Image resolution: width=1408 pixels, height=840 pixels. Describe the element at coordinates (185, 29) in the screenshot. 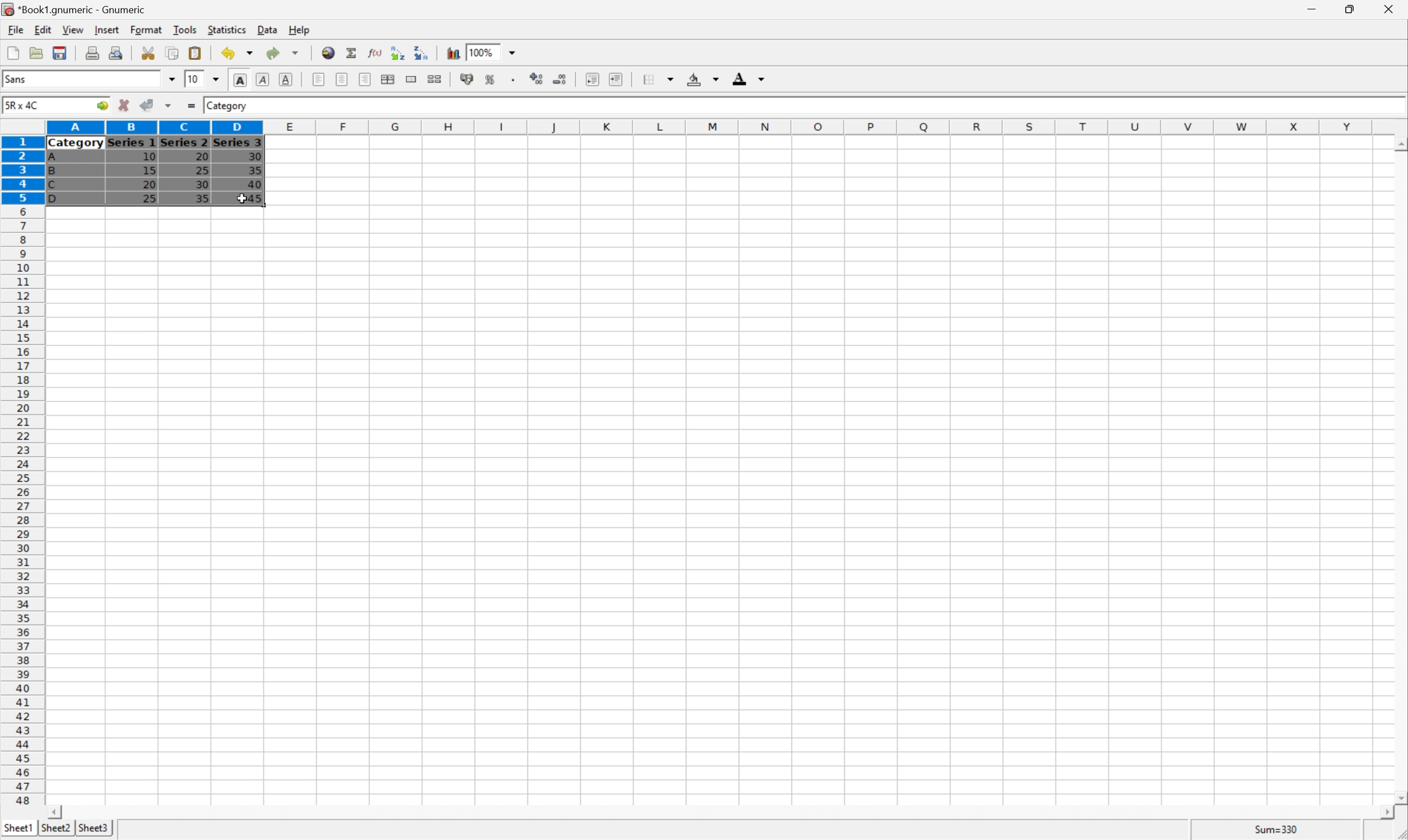

I see `Tools` at that location.